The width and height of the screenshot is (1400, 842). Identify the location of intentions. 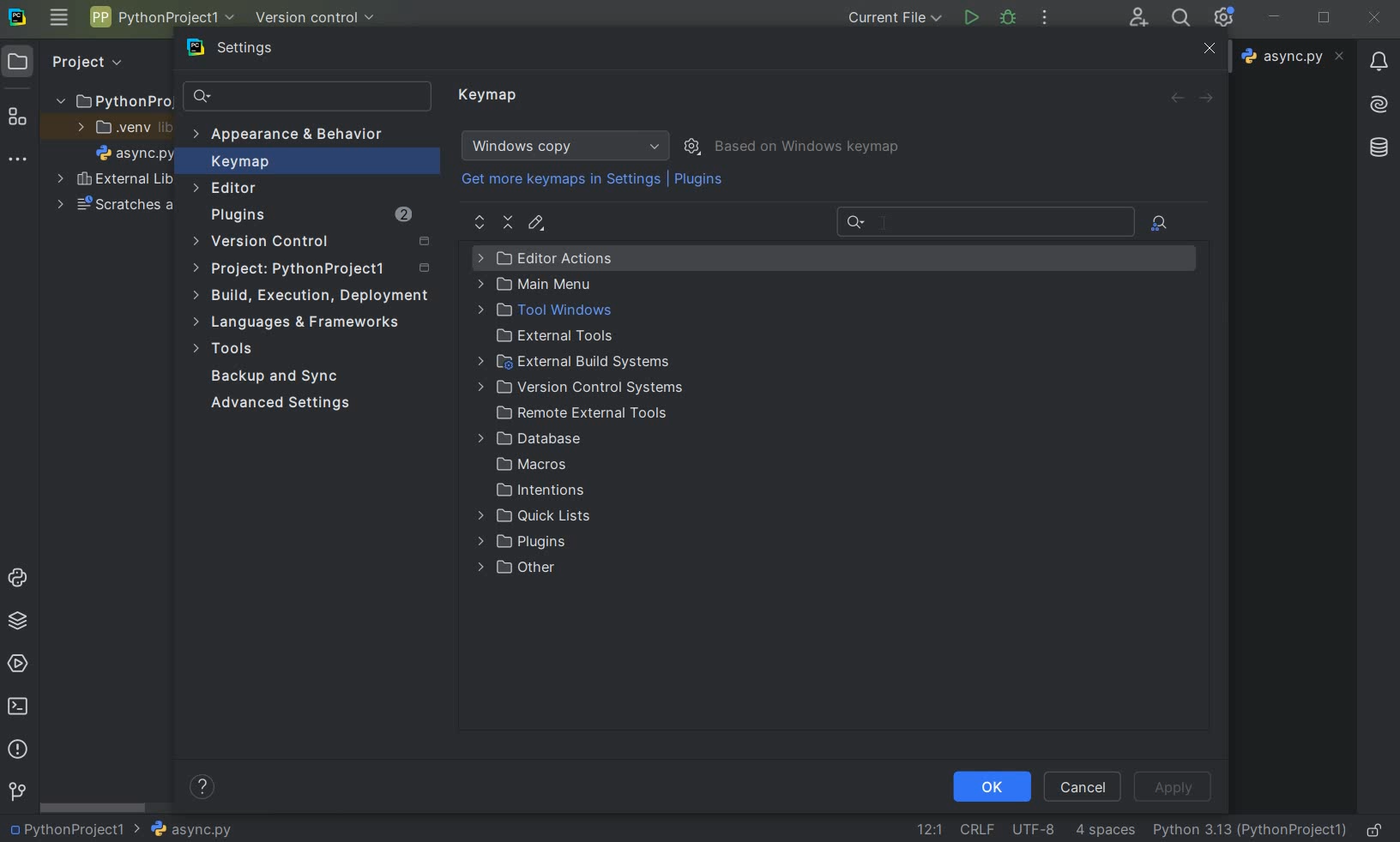
(525, 490).